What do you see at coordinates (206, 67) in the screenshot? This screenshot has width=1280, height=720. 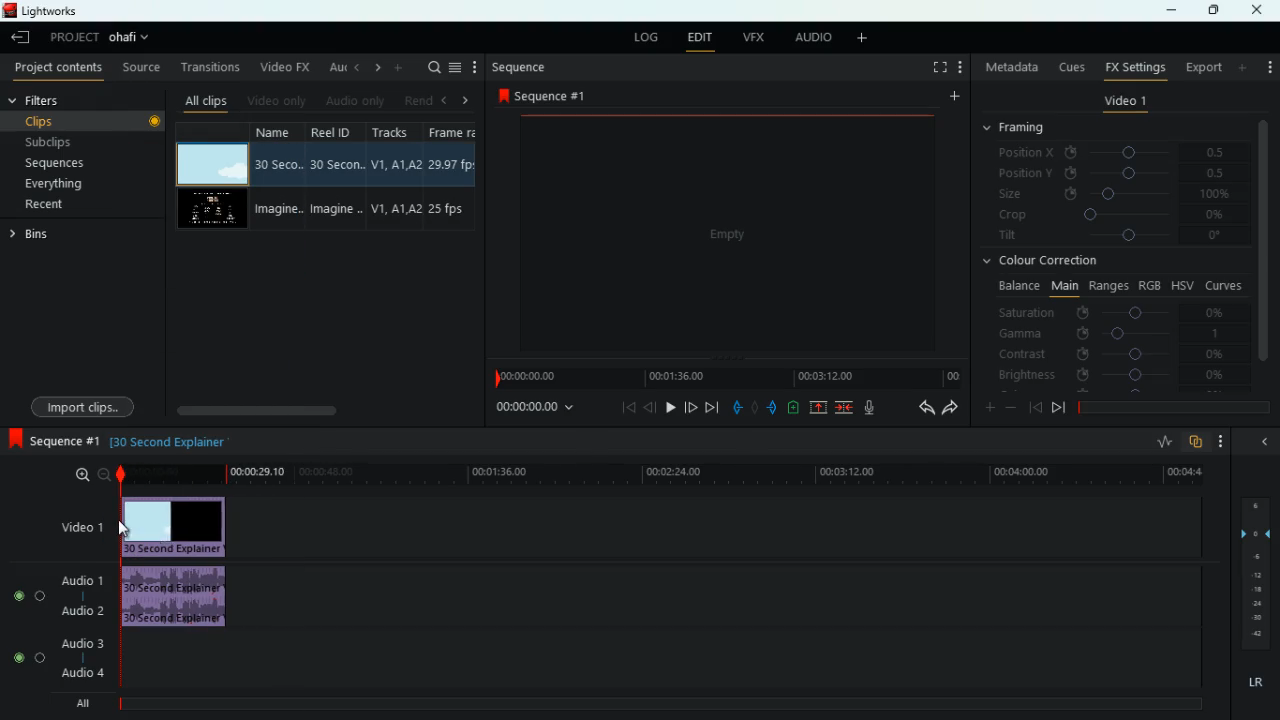 I see `transitions` at bounding box center [206, 67].